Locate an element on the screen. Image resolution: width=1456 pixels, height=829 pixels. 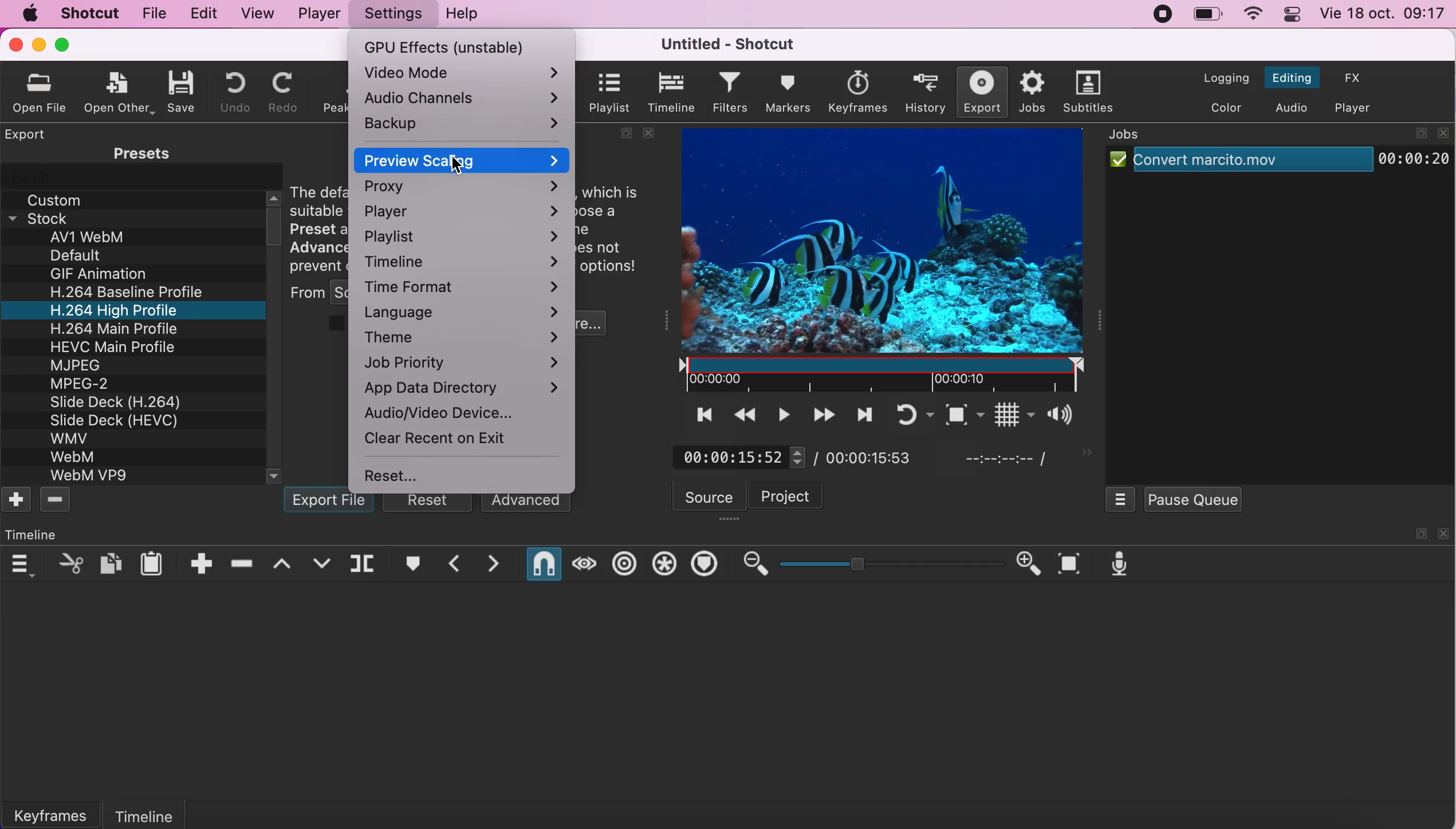
file is located at coordinates (152, 14).